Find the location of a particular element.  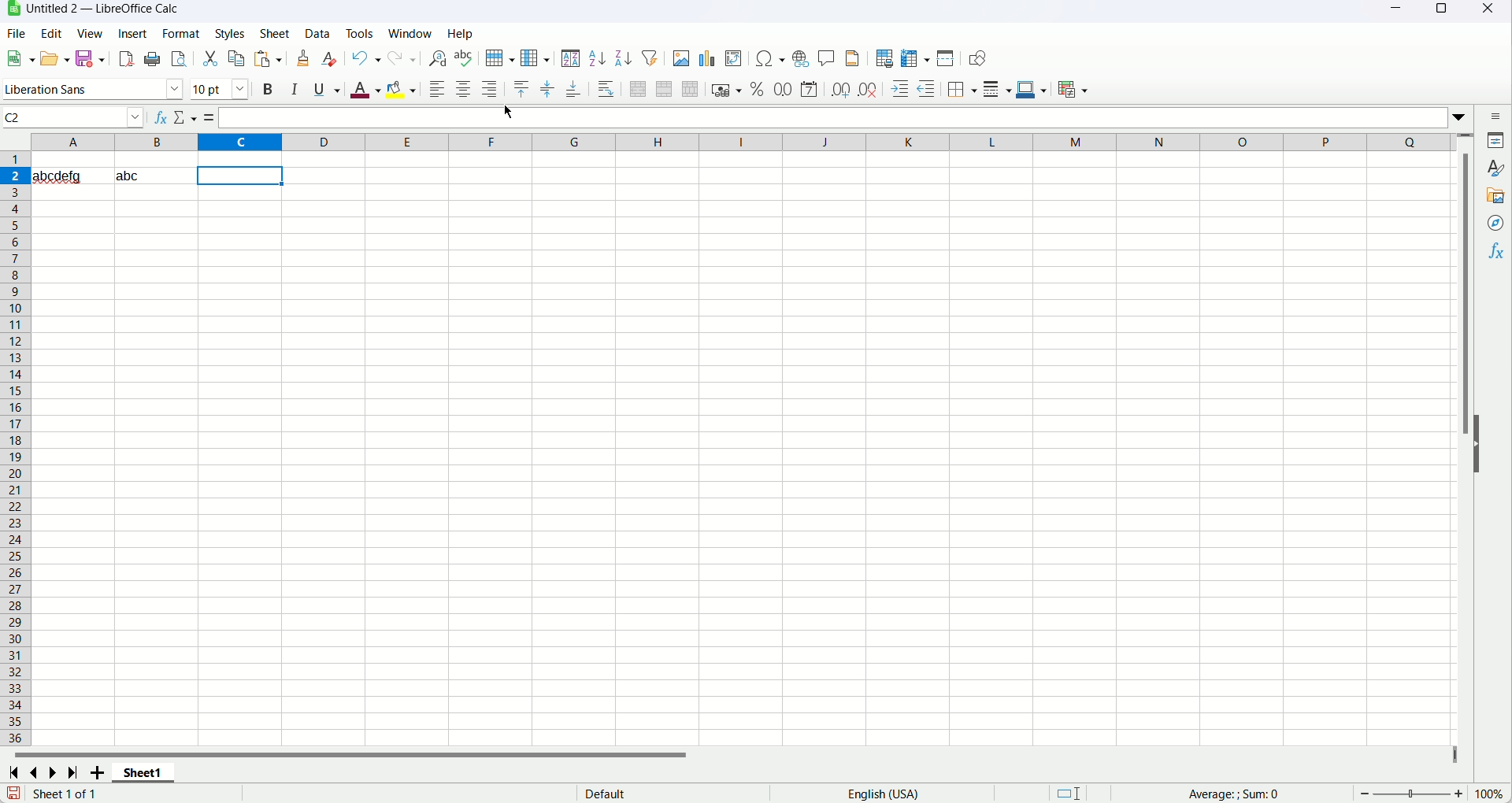

italics is located at coordinates (295, 89).